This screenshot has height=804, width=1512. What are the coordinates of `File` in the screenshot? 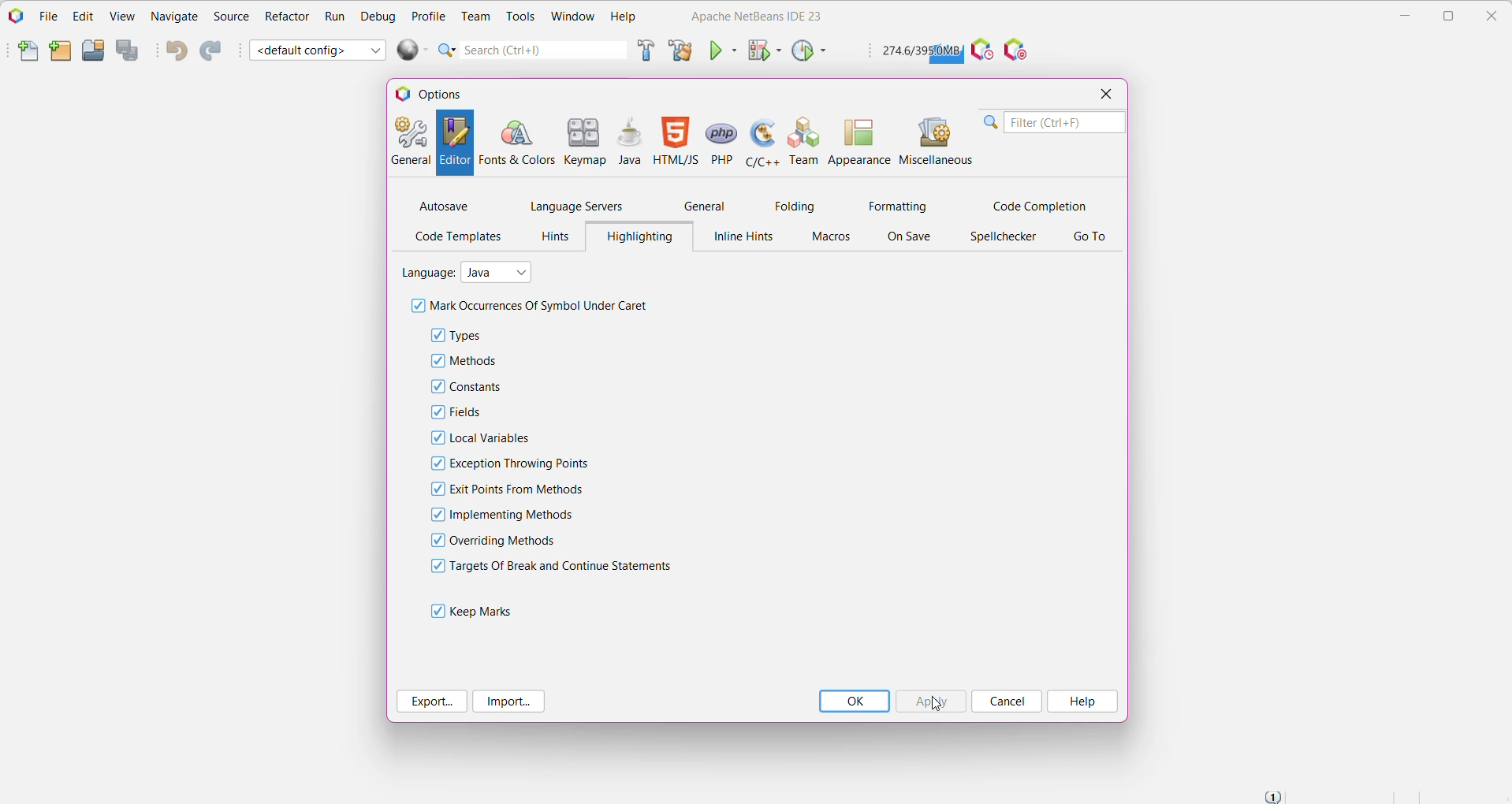 It's located at (46, 16).